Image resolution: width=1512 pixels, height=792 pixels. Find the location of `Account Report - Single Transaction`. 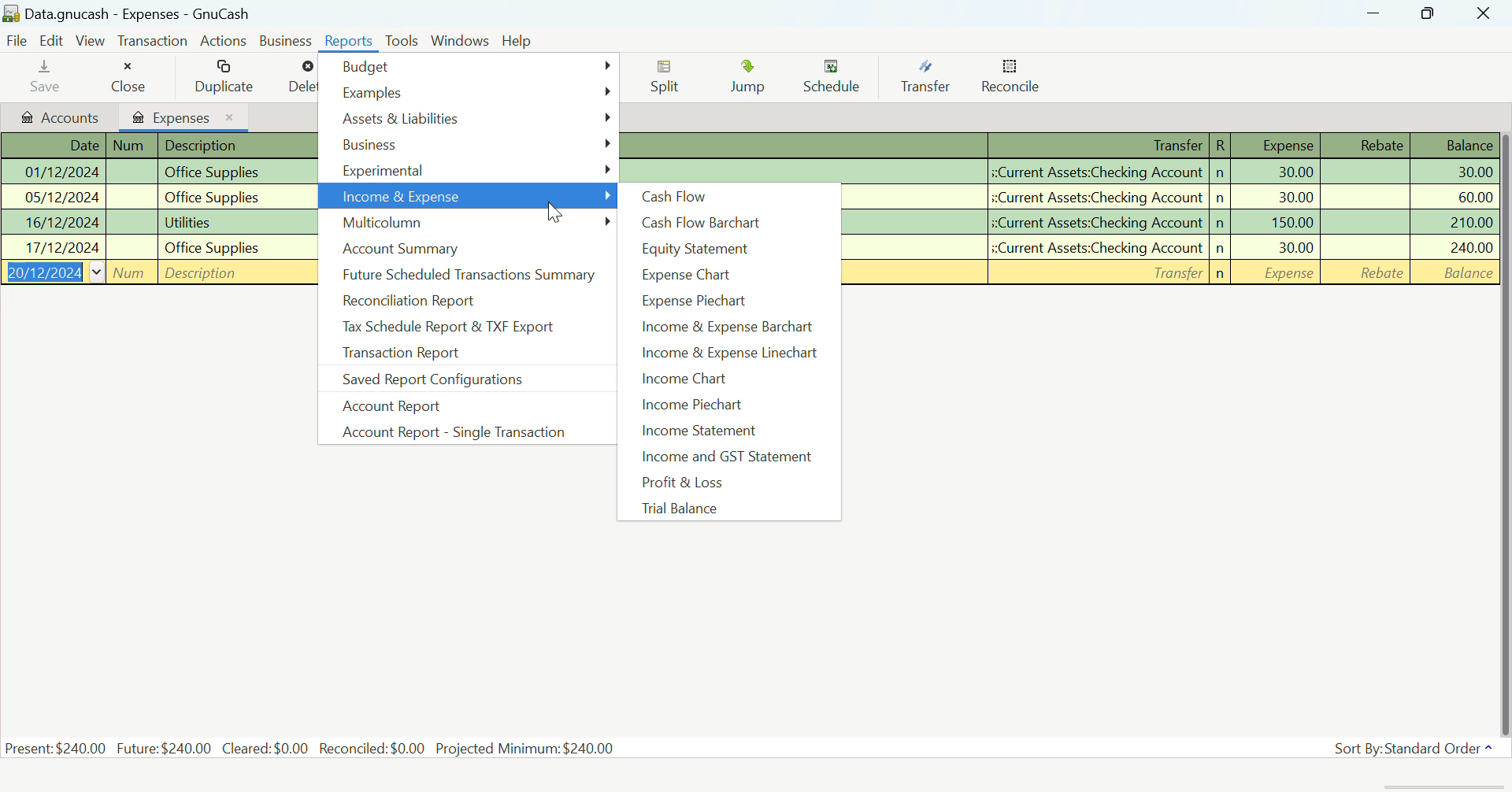

Account Report - Single Transaction is located at coordinates (450, 430).